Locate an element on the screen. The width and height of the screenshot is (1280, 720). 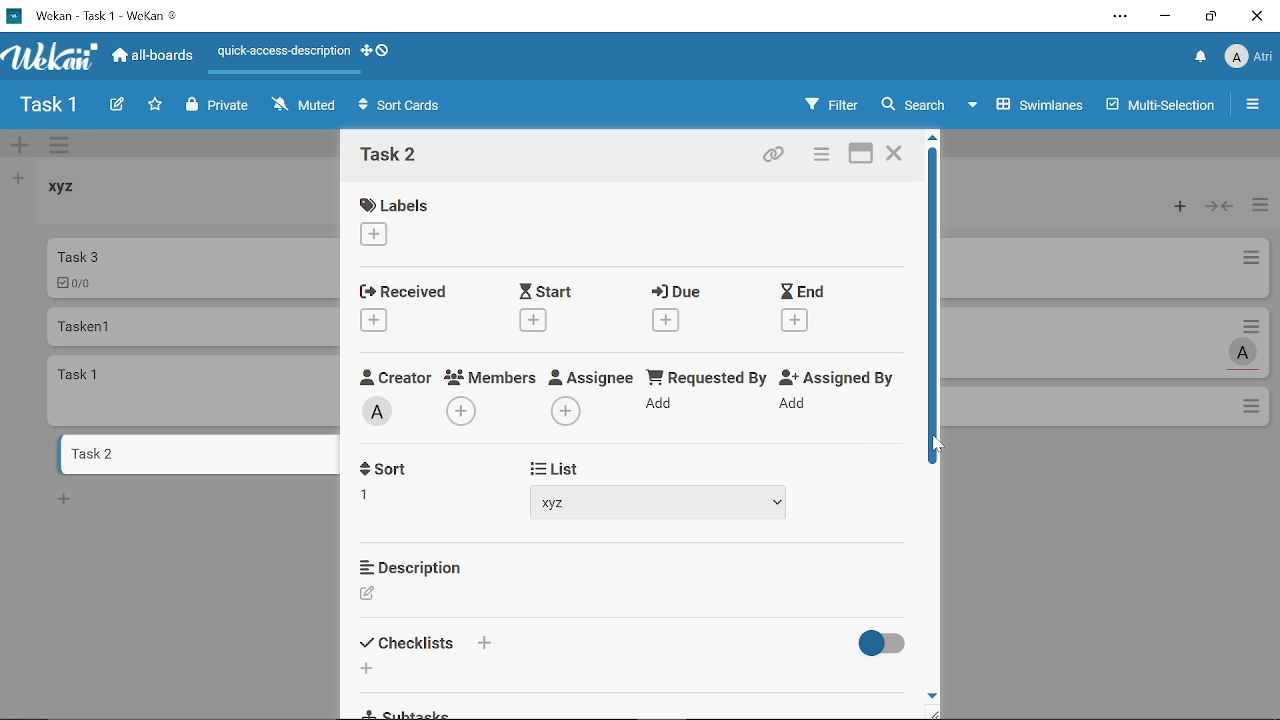
Start is located at coordinates (538, 290).